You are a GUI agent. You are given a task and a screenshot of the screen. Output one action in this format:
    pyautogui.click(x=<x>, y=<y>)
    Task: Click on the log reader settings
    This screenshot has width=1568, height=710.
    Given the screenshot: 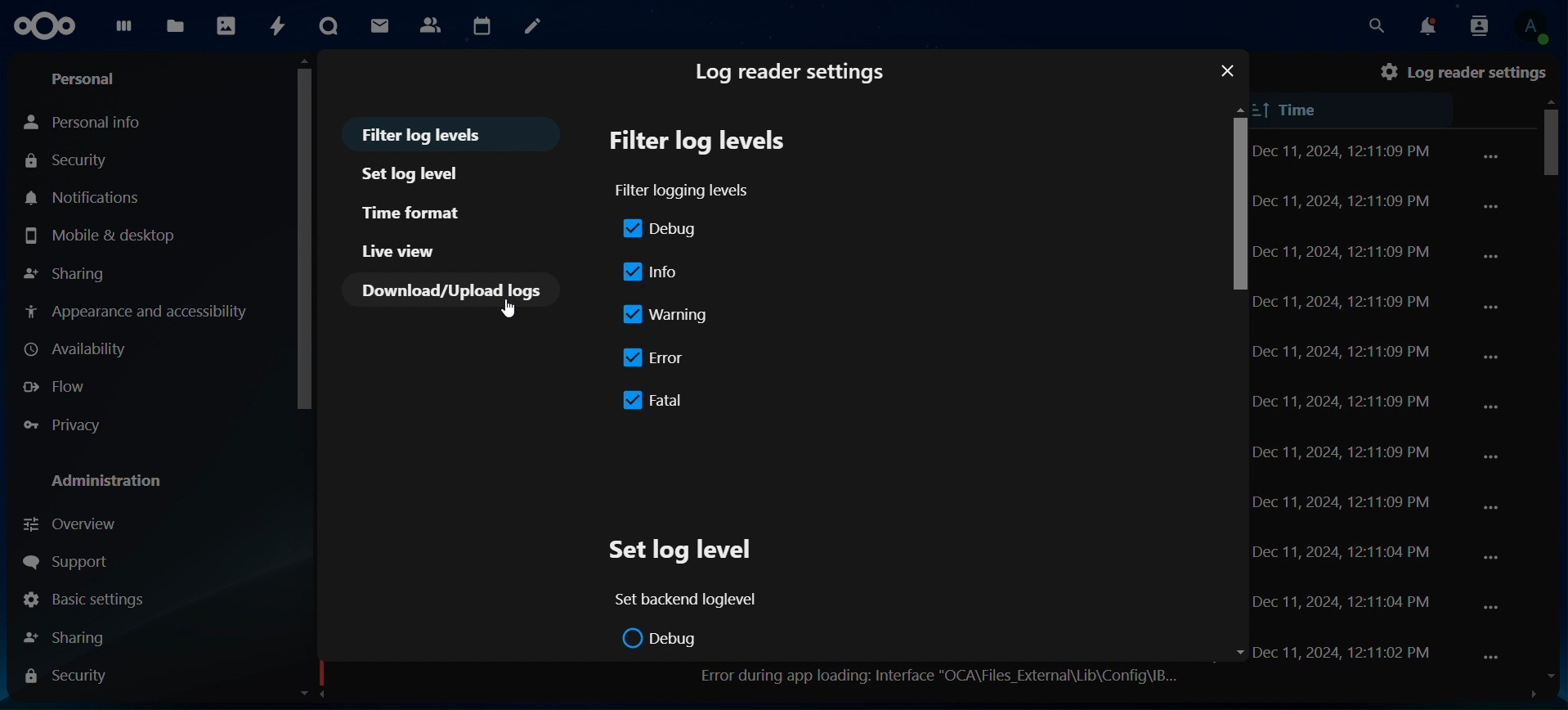 What is the action you would take?
    pyautogui.click(x=792, y=74)
    